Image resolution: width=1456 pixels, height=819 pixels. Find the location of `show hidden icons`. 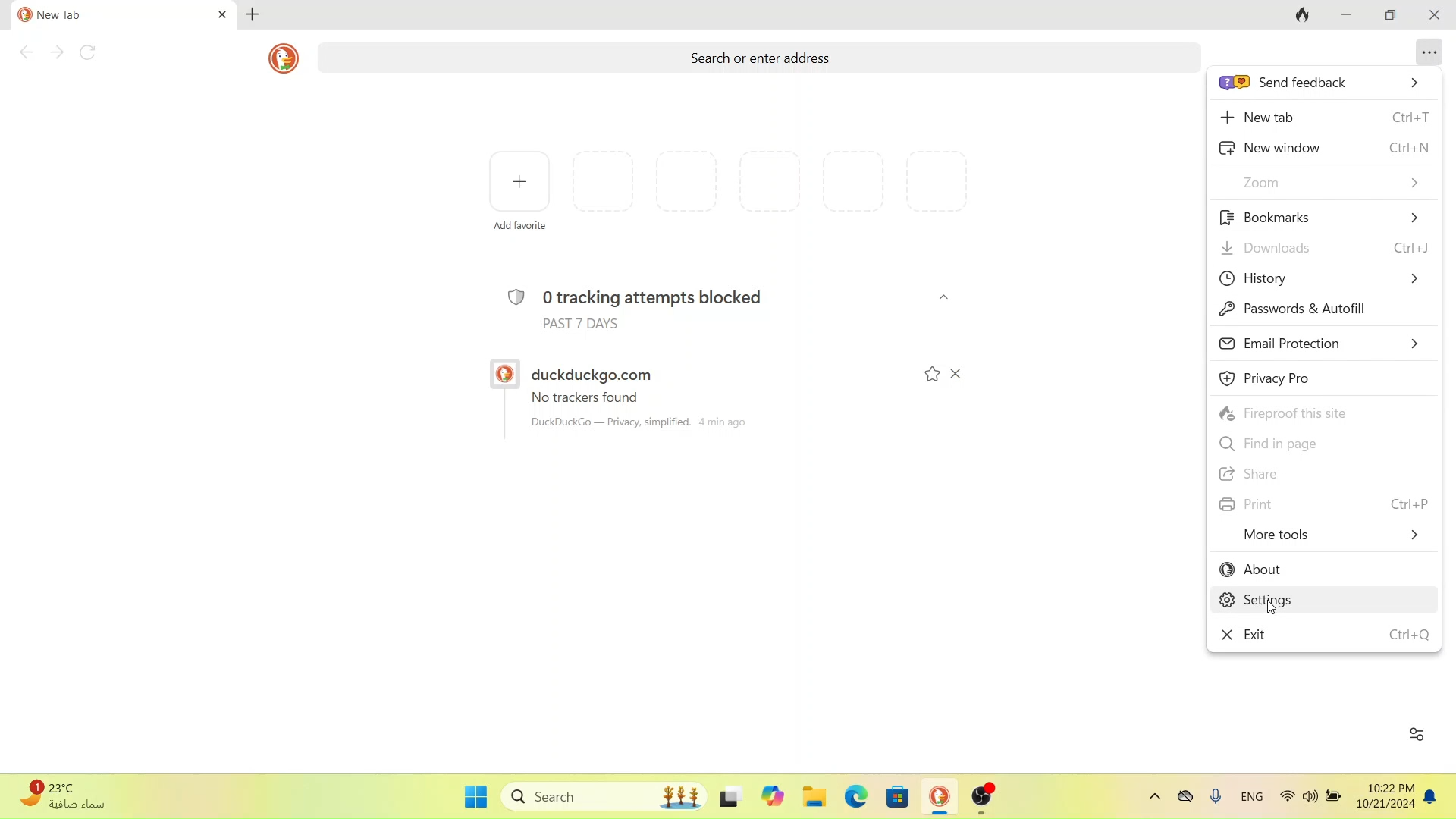

show hidden icons is located at coordinates (1154, 799).